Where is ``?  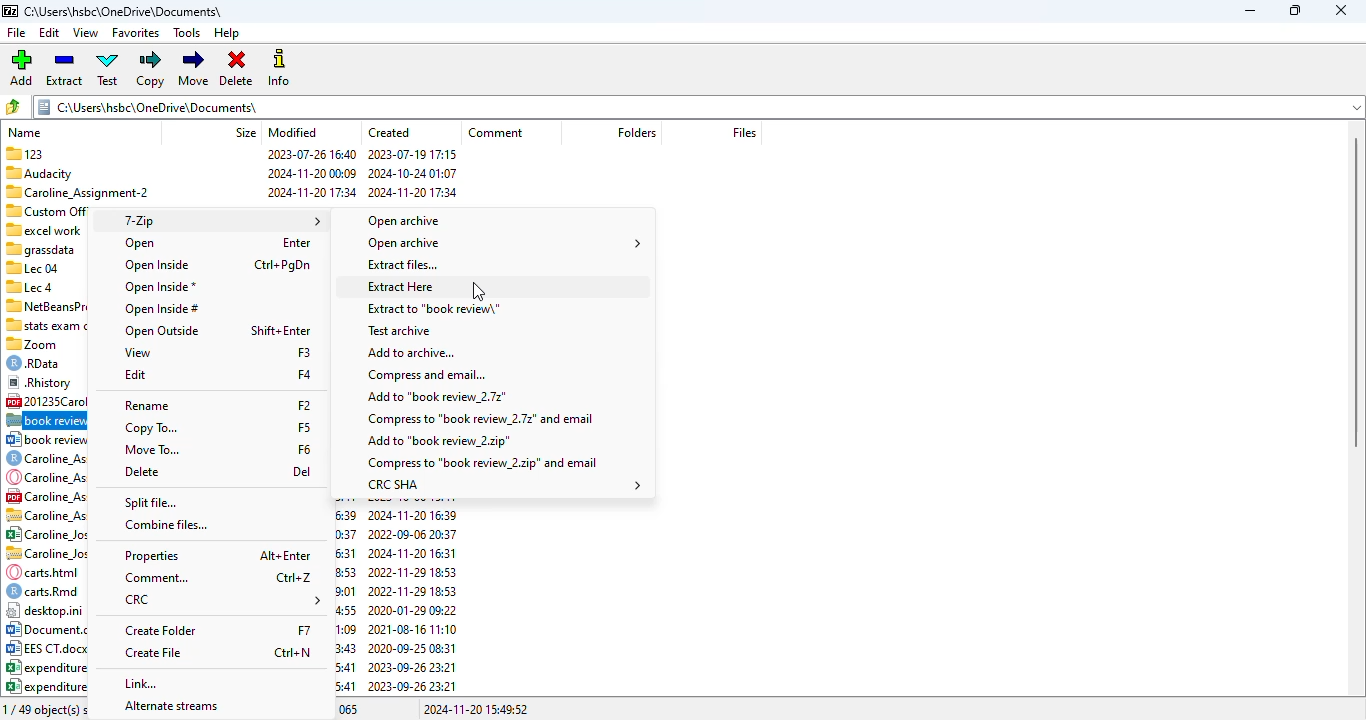
 is located at coordinates (1341, 11).